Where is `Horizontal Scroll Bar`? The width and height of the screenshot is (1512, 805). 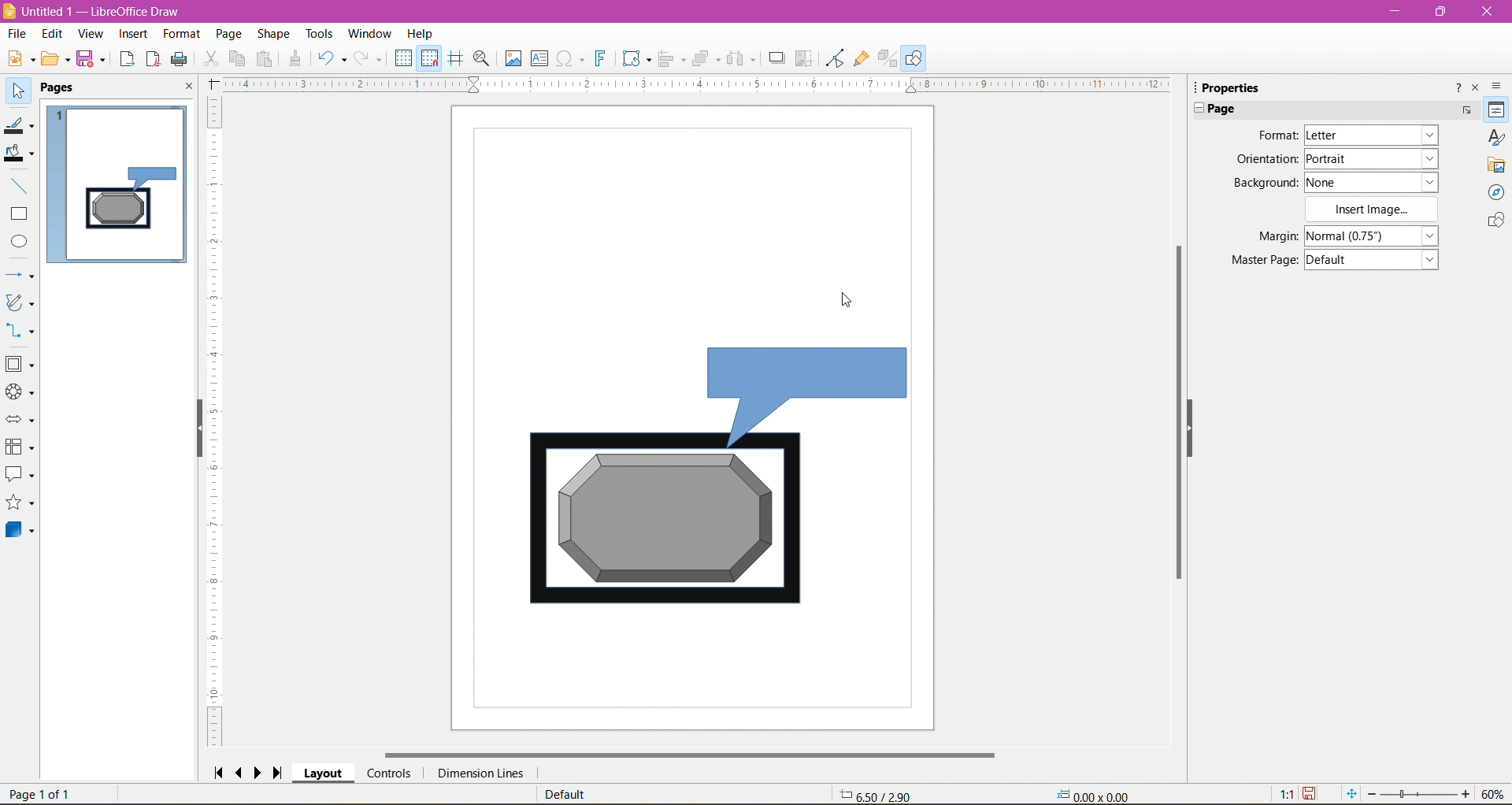
Horizontal Scroll Bar is located at coordinates (690, 753).